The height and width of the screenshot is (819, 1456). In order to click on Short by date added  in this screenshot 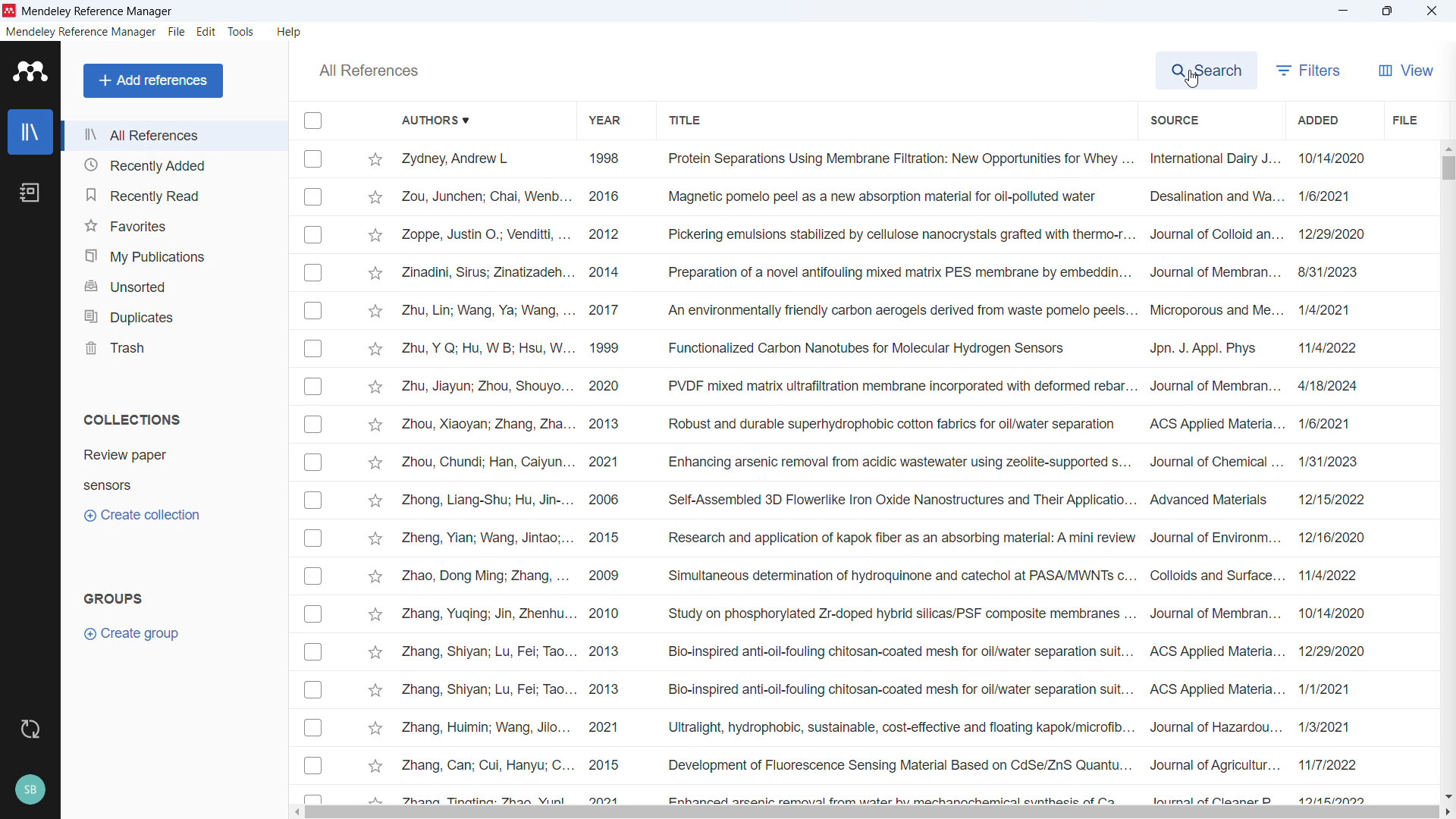, I will do `click(1316, 119)`.